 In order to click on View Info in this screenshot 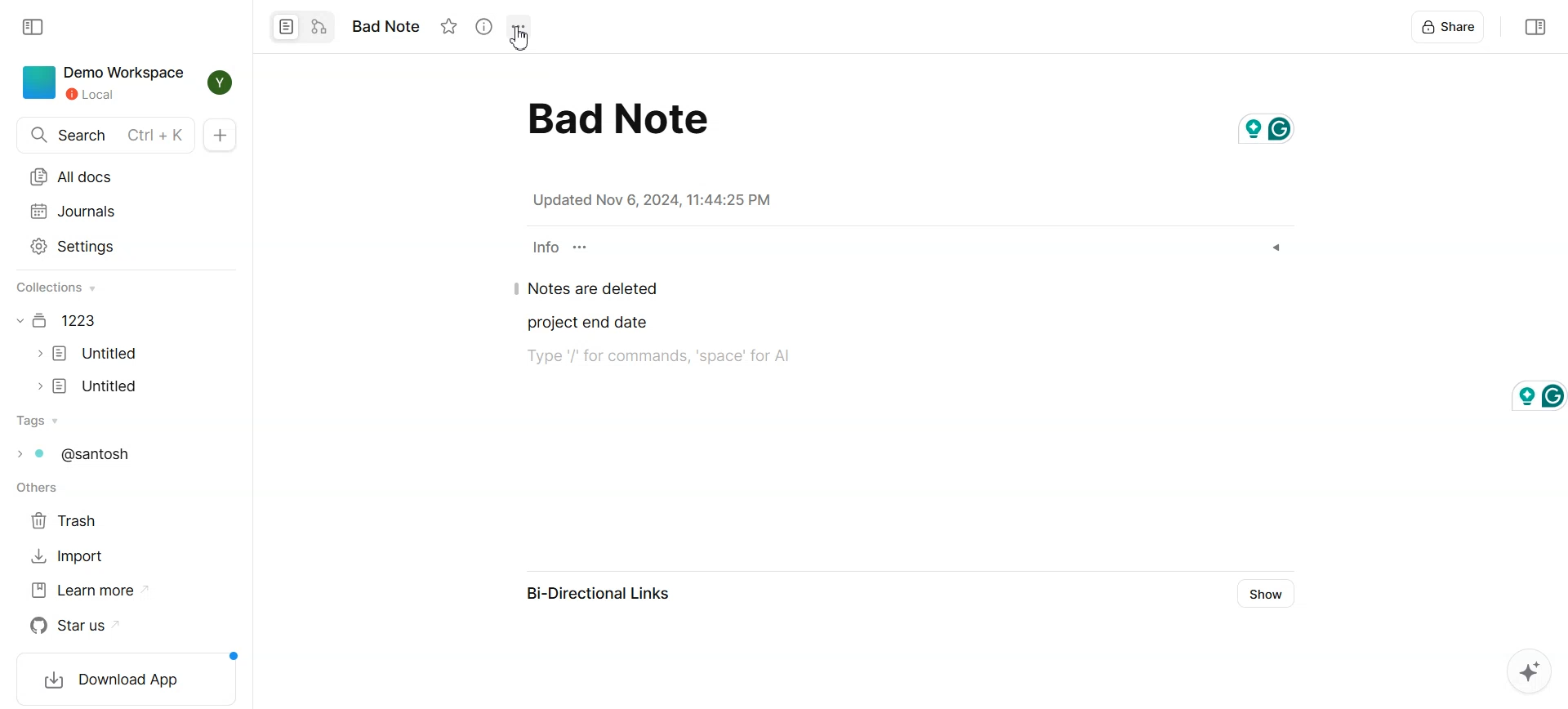, I will do `click(483, 26)`.